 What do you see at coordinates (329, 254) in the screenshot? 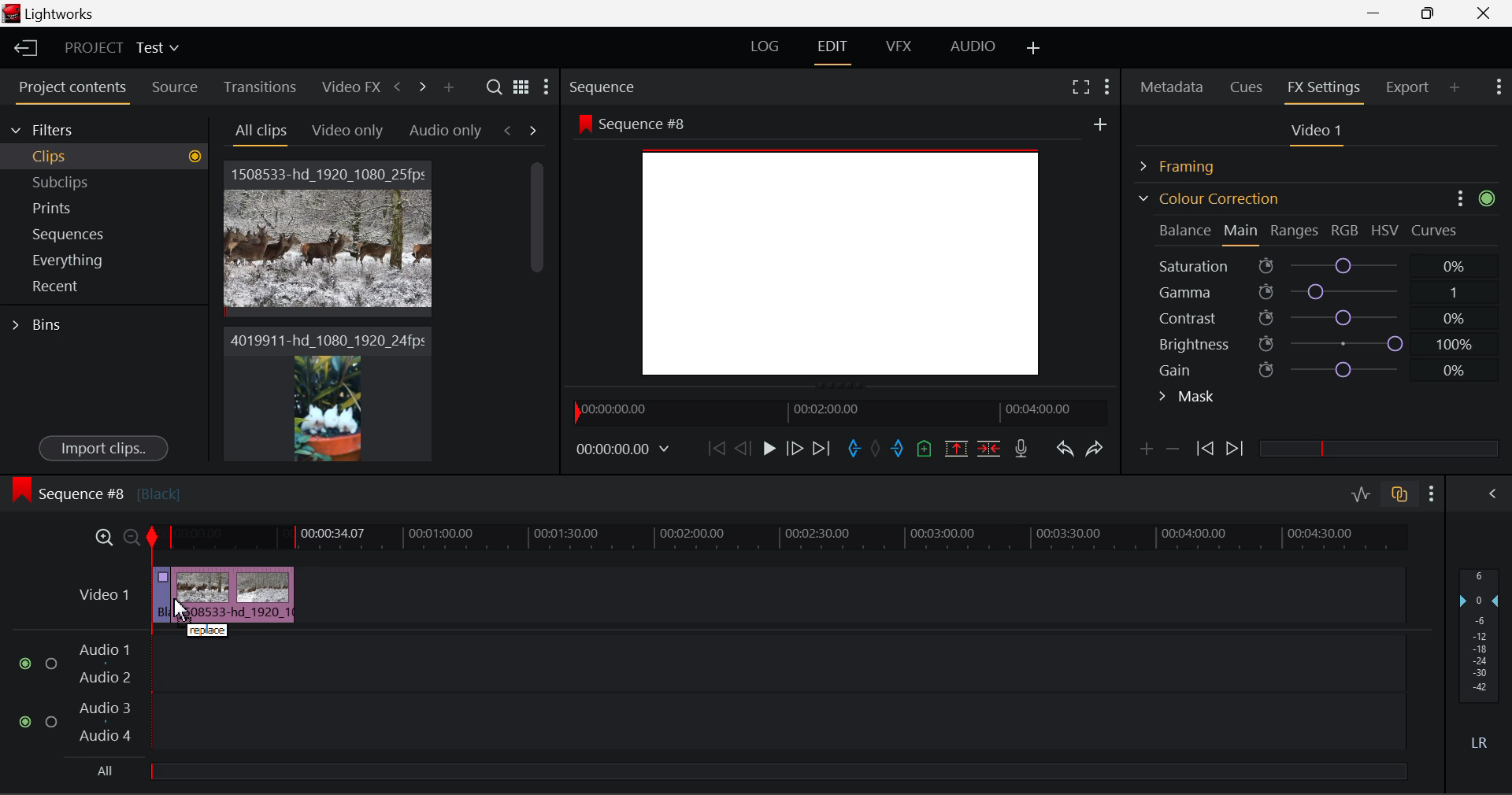
I see `Cursor MOUSE_DOWN on Clip 1` at bounding box center [329, 254].